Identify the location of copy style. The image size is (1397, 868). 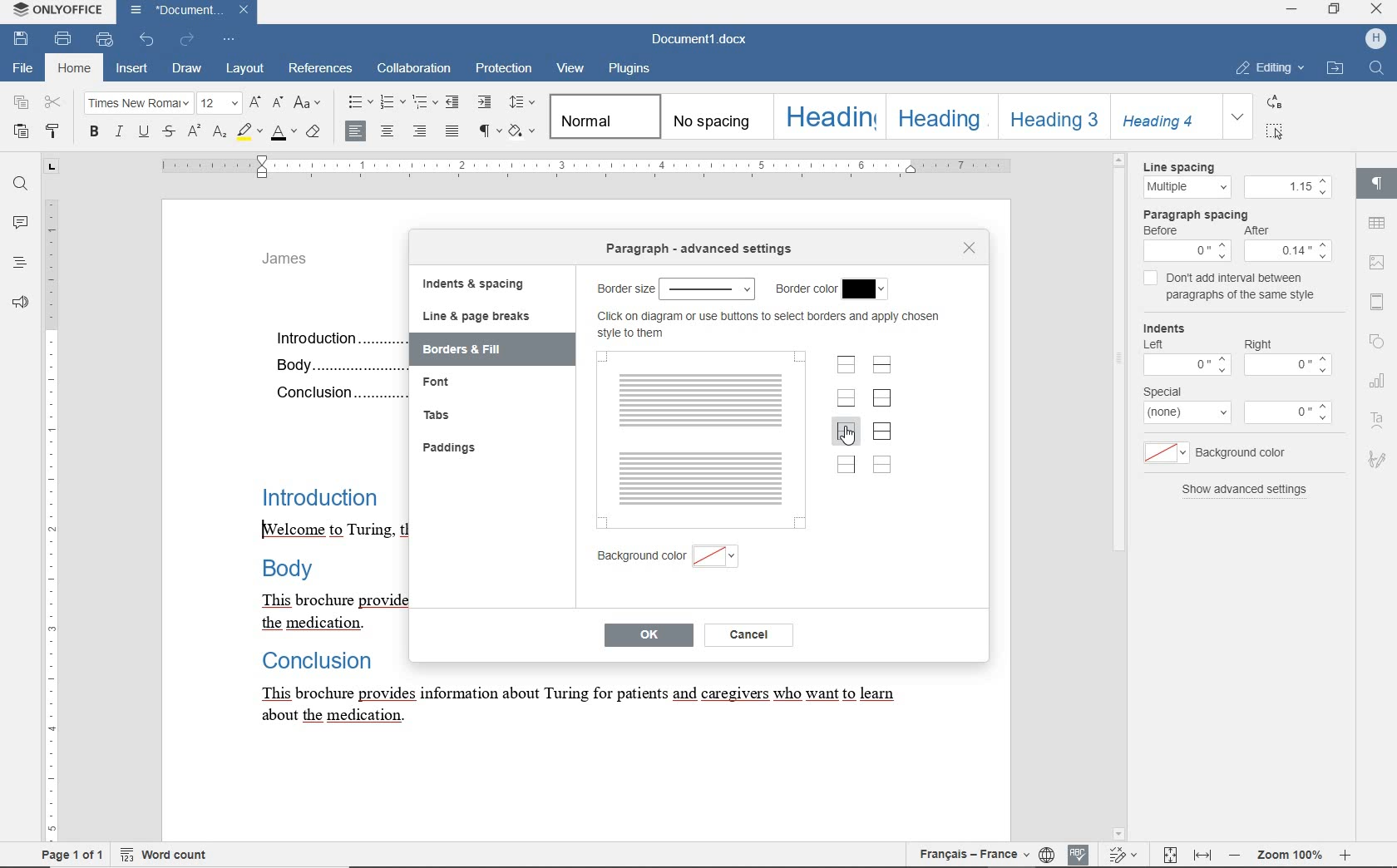
(52, 131).